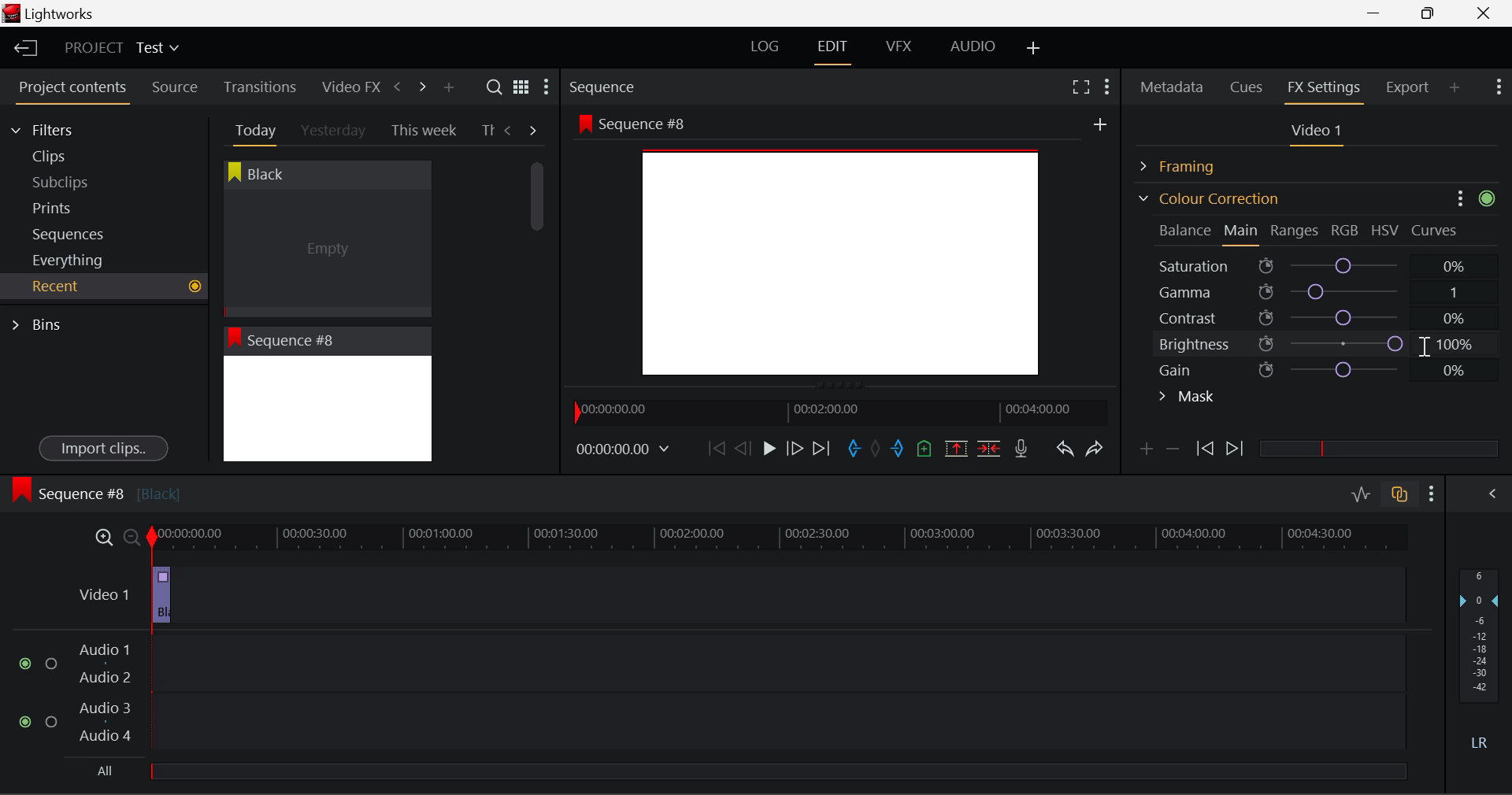 This screenshot has height=795, width=1512. Describe the element at coordinates (855, 449) in the screenshot. I see `Mark In` at that location.